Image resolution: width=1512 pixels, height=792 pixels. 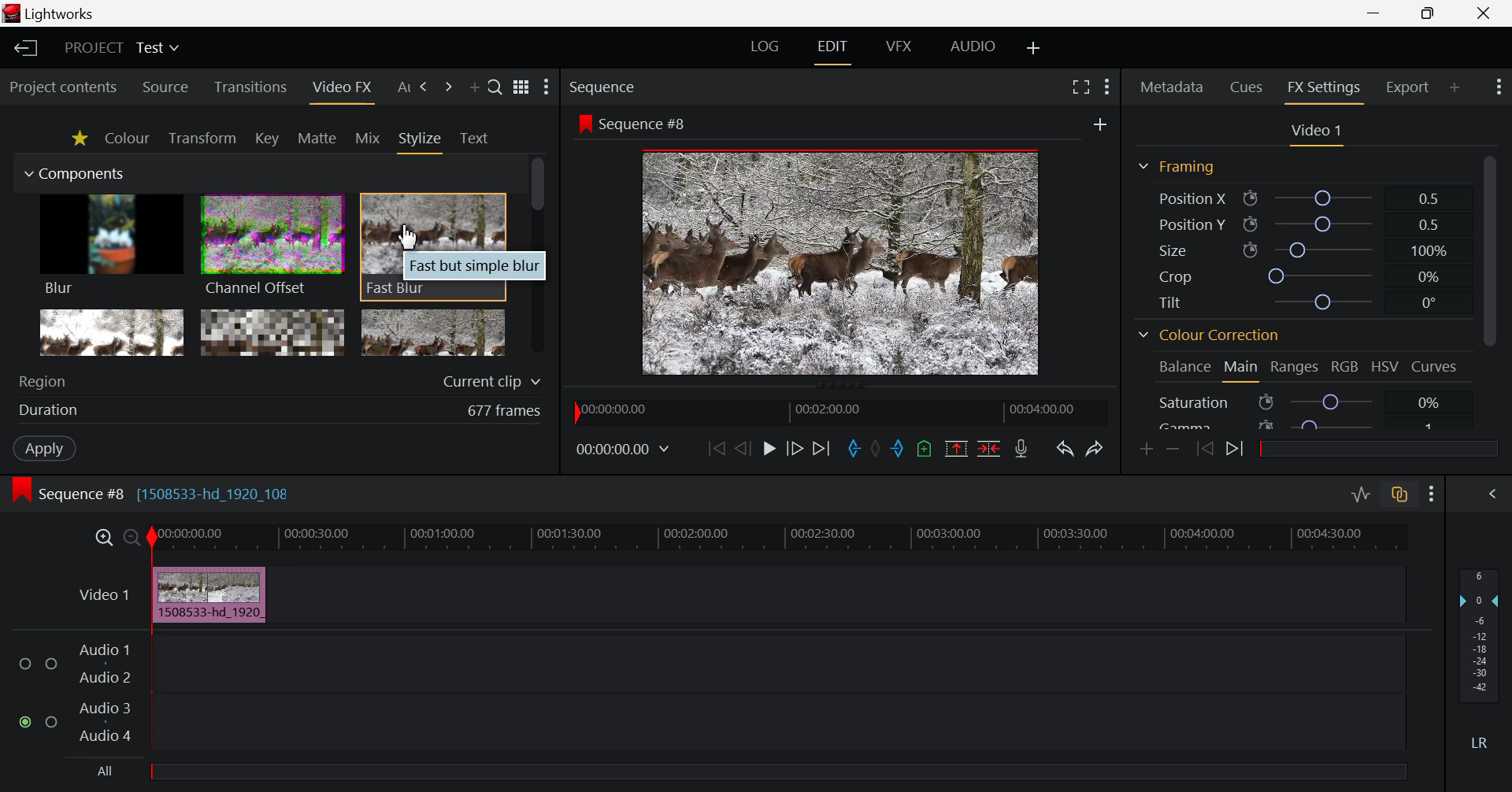 What do you see at coordinates (1035, 50) in the screenshot?
I see `Add Layout` at bounding box center [1035, 50].